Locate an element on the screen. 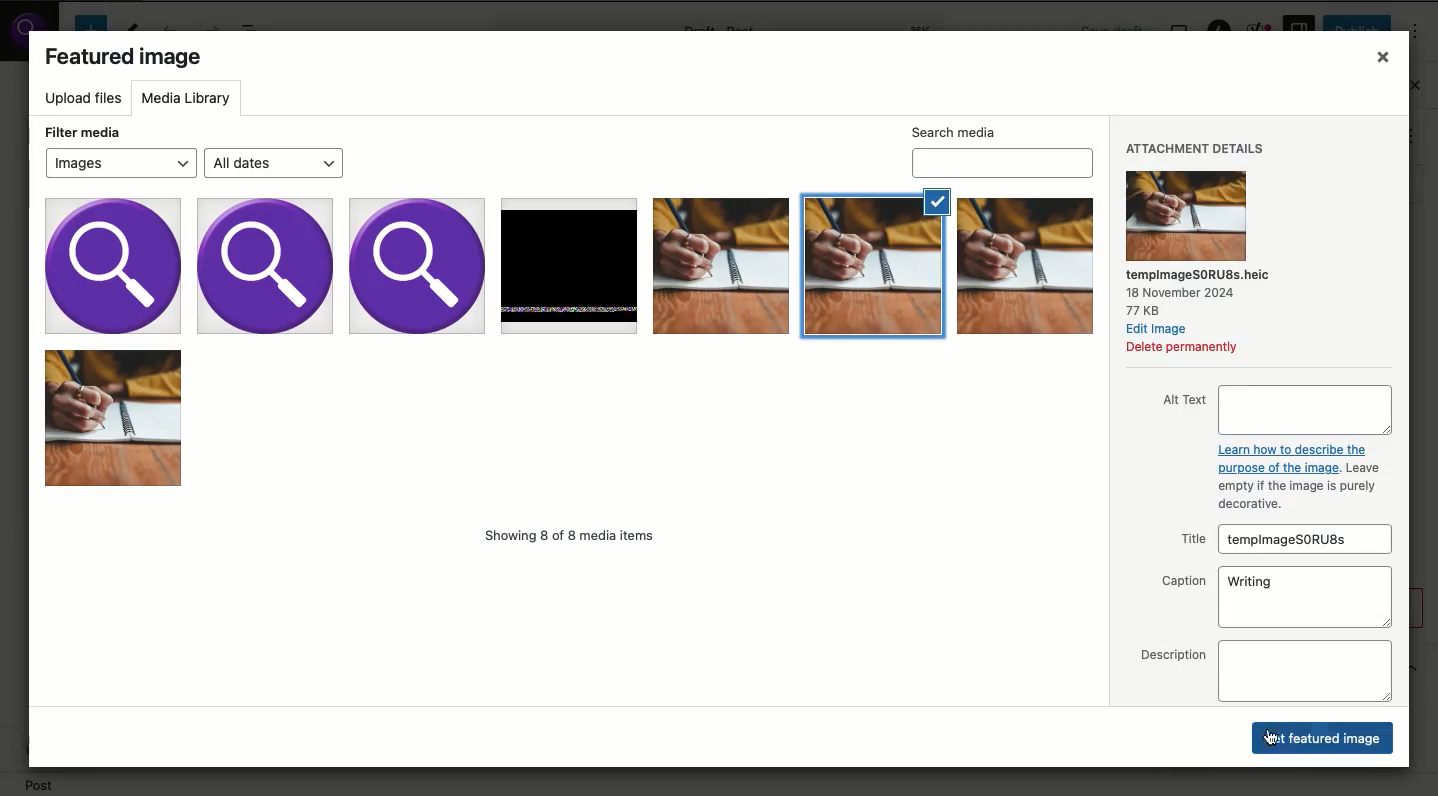 The height and width of the screenshot is (796, 1438). text is located at coordinates (1184, 583).